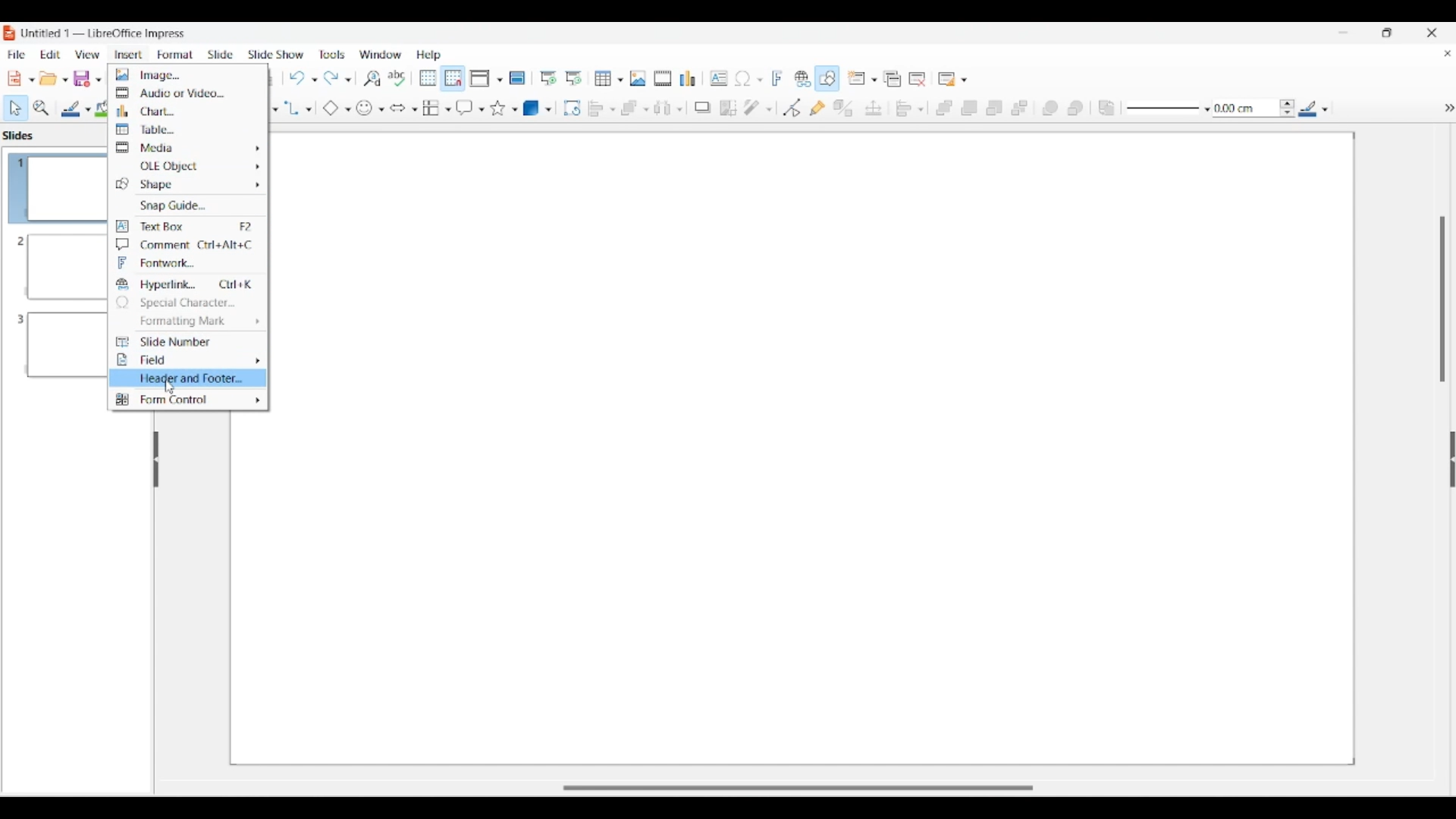 This screenshot has width=1456, height=819. What do you see at coordinates (573, 108) in the screenshot?
I see `Rotate` at bounding box center [573, 108].